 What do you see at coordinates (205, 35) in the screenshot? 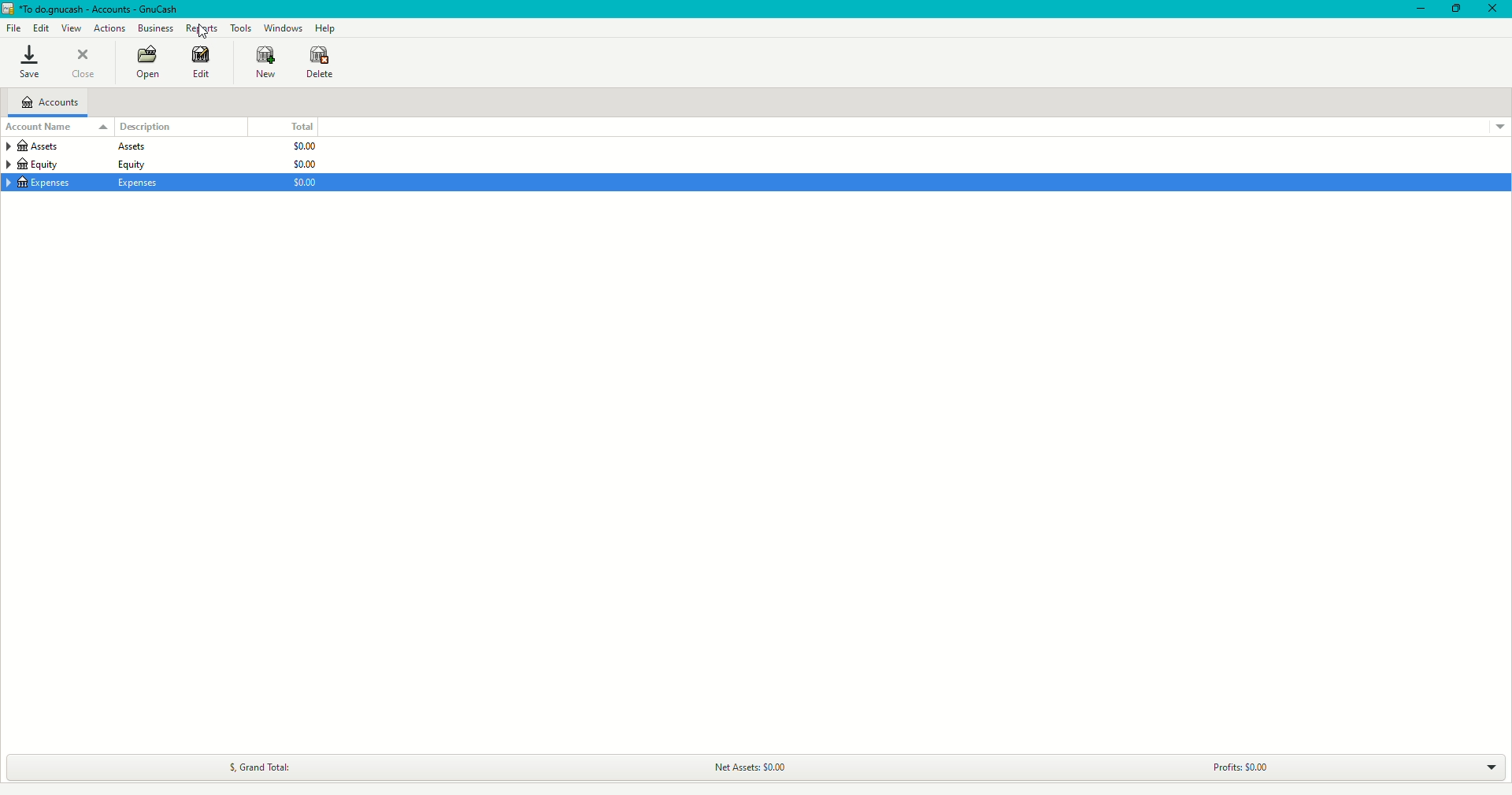
I see `cursor` at bounding box center [205, 35].